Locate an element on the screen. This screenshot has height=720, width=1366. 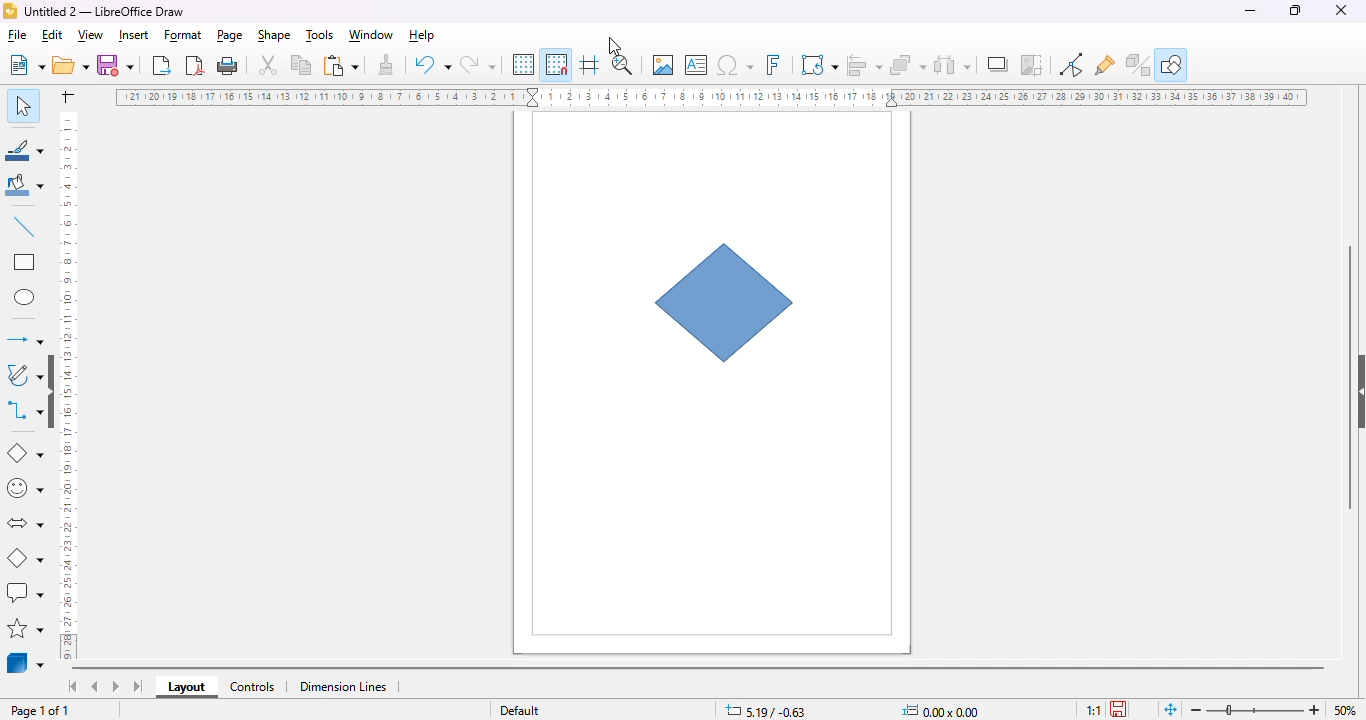
zoom out is located at coordinates (1197, 710).